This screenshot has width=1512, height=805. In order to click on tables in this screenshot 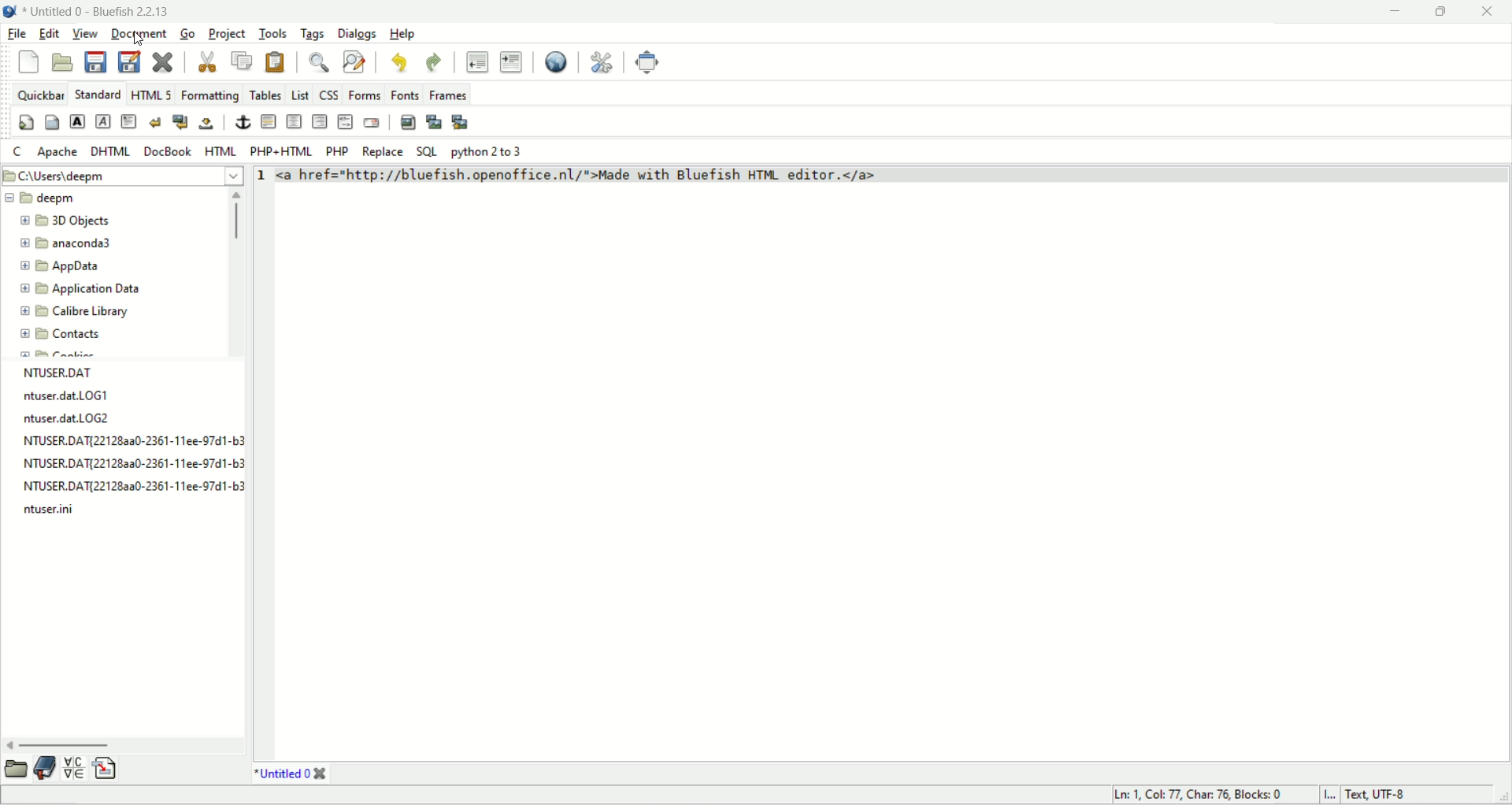, I will do `click(264, 93)`.